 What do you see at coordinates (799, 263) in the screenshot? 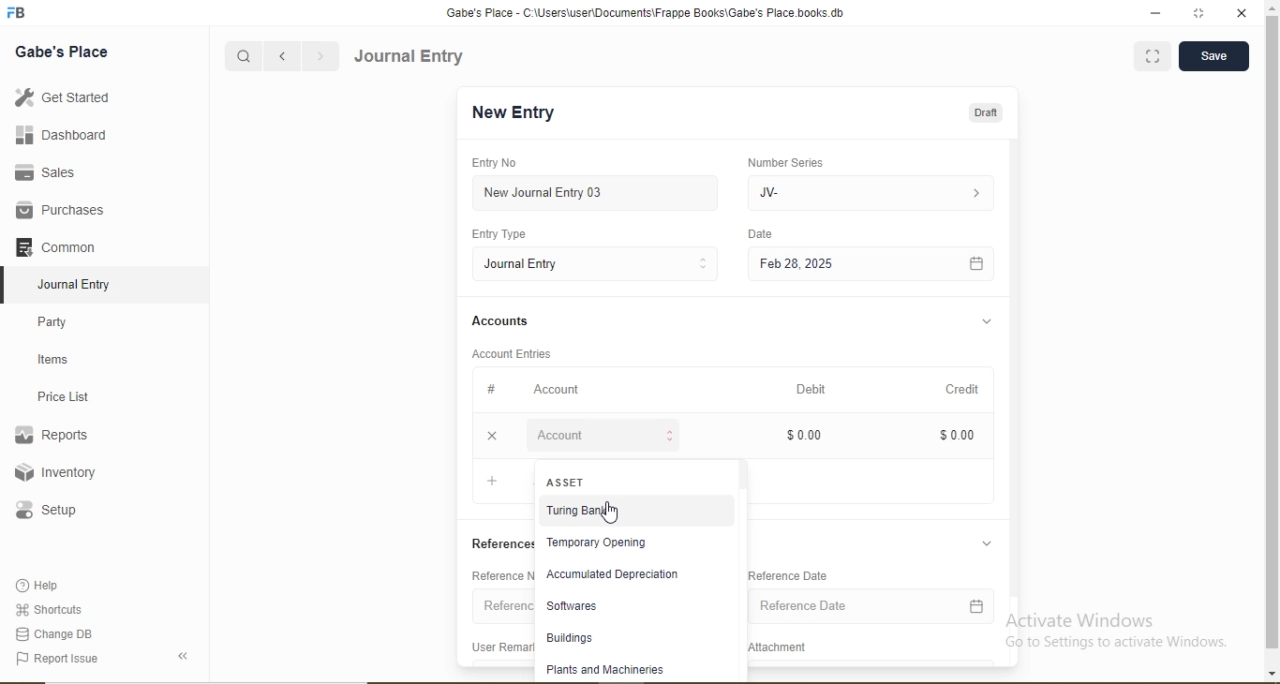
I see `Feb 28, 2025` at bounding box center [799, 263].